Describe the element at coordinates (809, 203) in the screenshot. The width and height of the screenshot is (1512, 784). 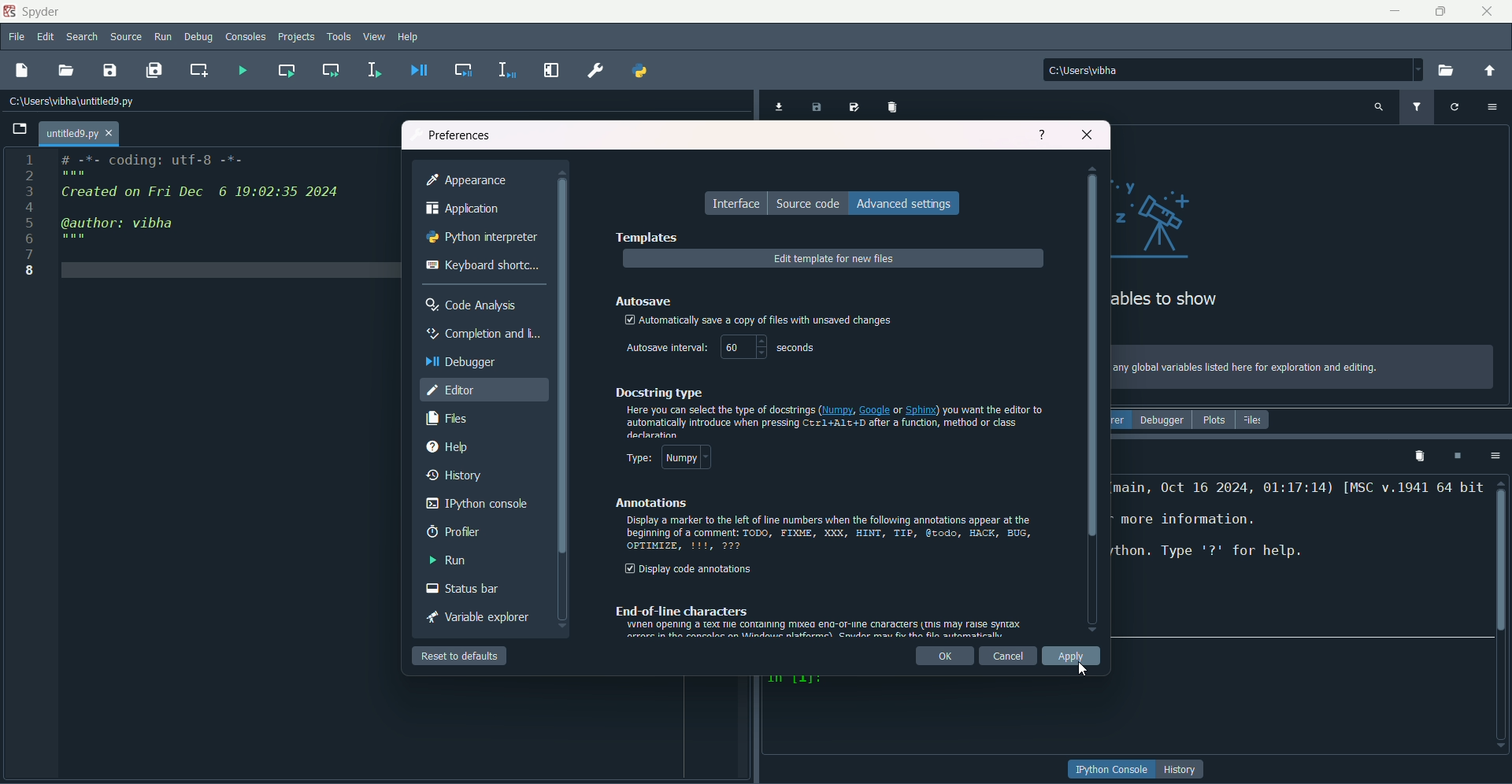
I see `source code` at that location.